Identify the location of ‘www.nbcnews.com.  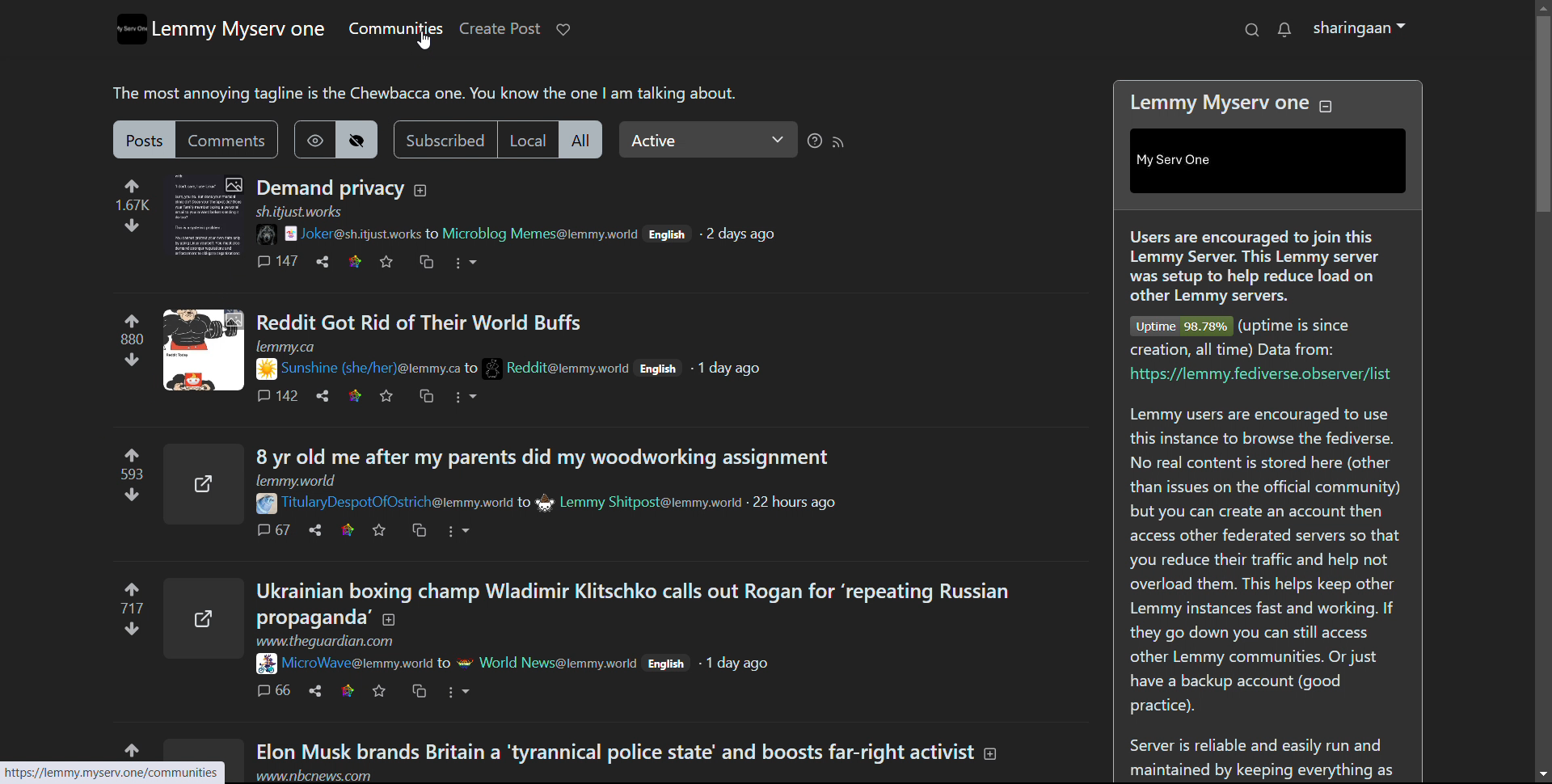
(314, 774).